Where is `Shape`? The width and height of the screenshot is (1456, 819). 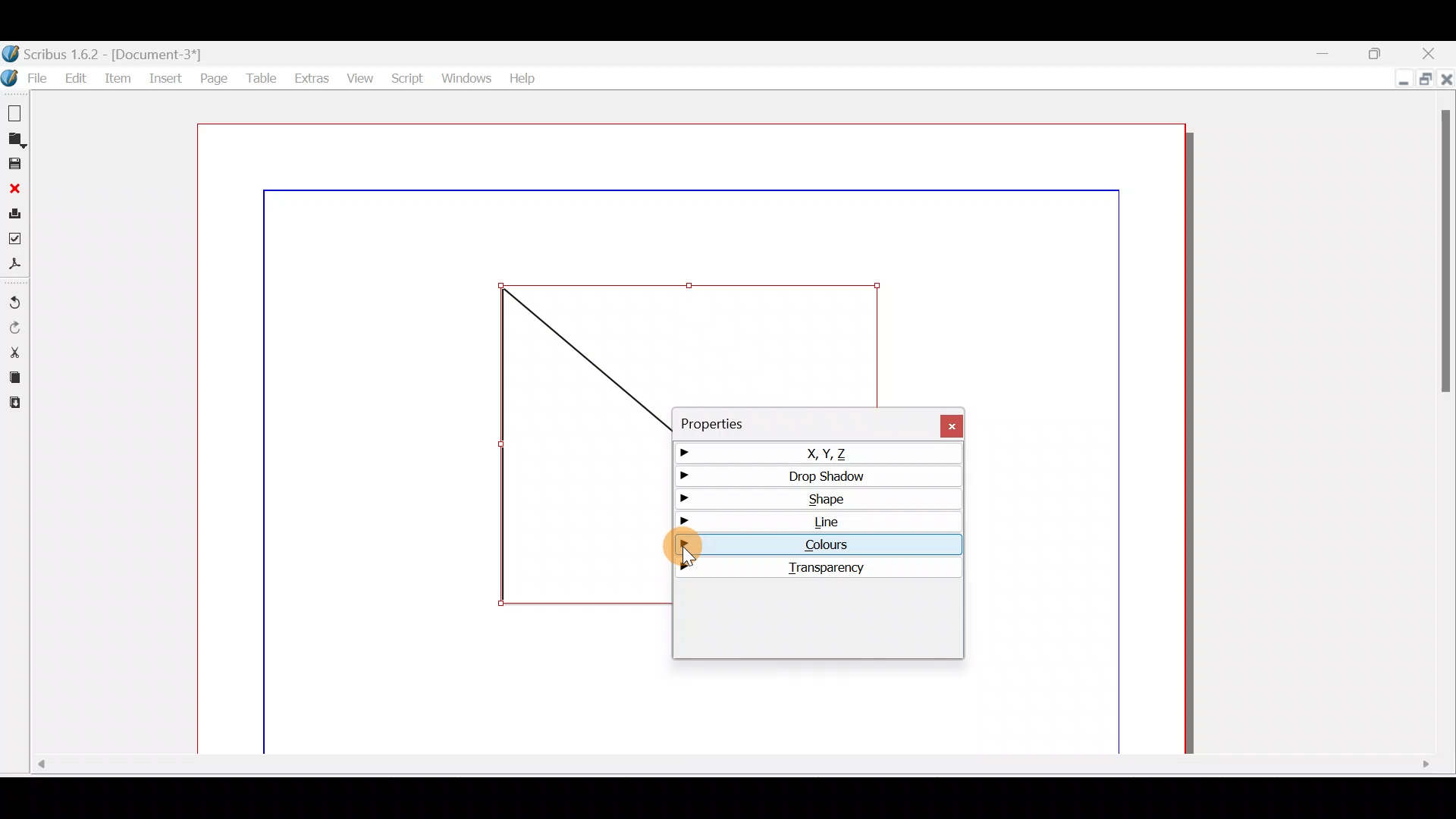 Shape is located at coordinates (824, 498).